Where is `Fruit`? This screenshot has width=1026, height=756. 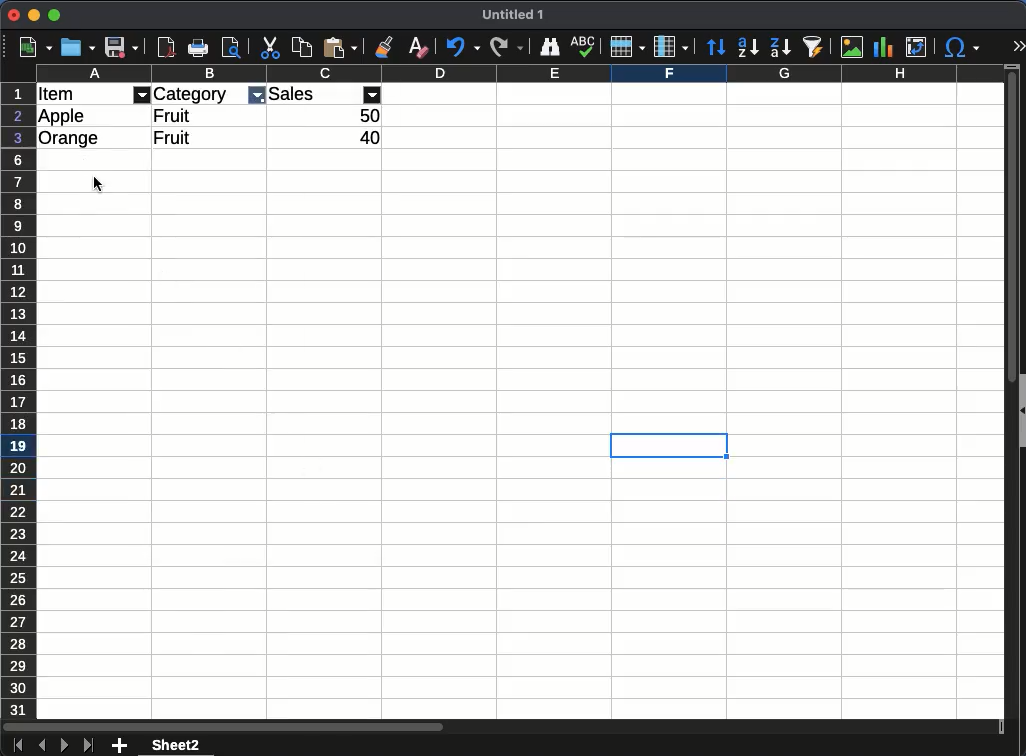 Fruit is located at coordinates (174, 115).